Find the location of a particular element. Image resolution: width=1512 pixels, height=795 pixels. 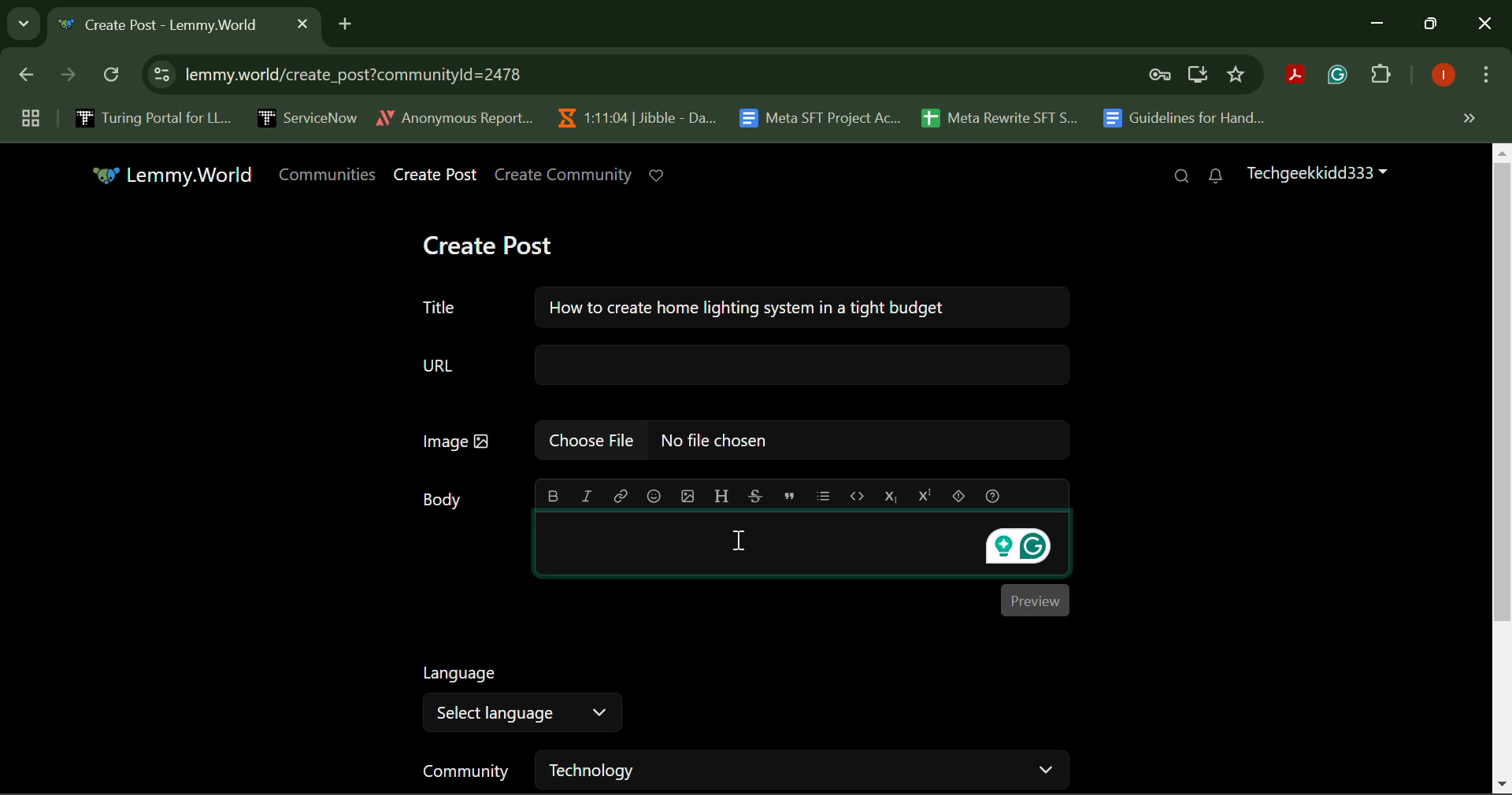

Add Tab is located at coordinates (345, 21).